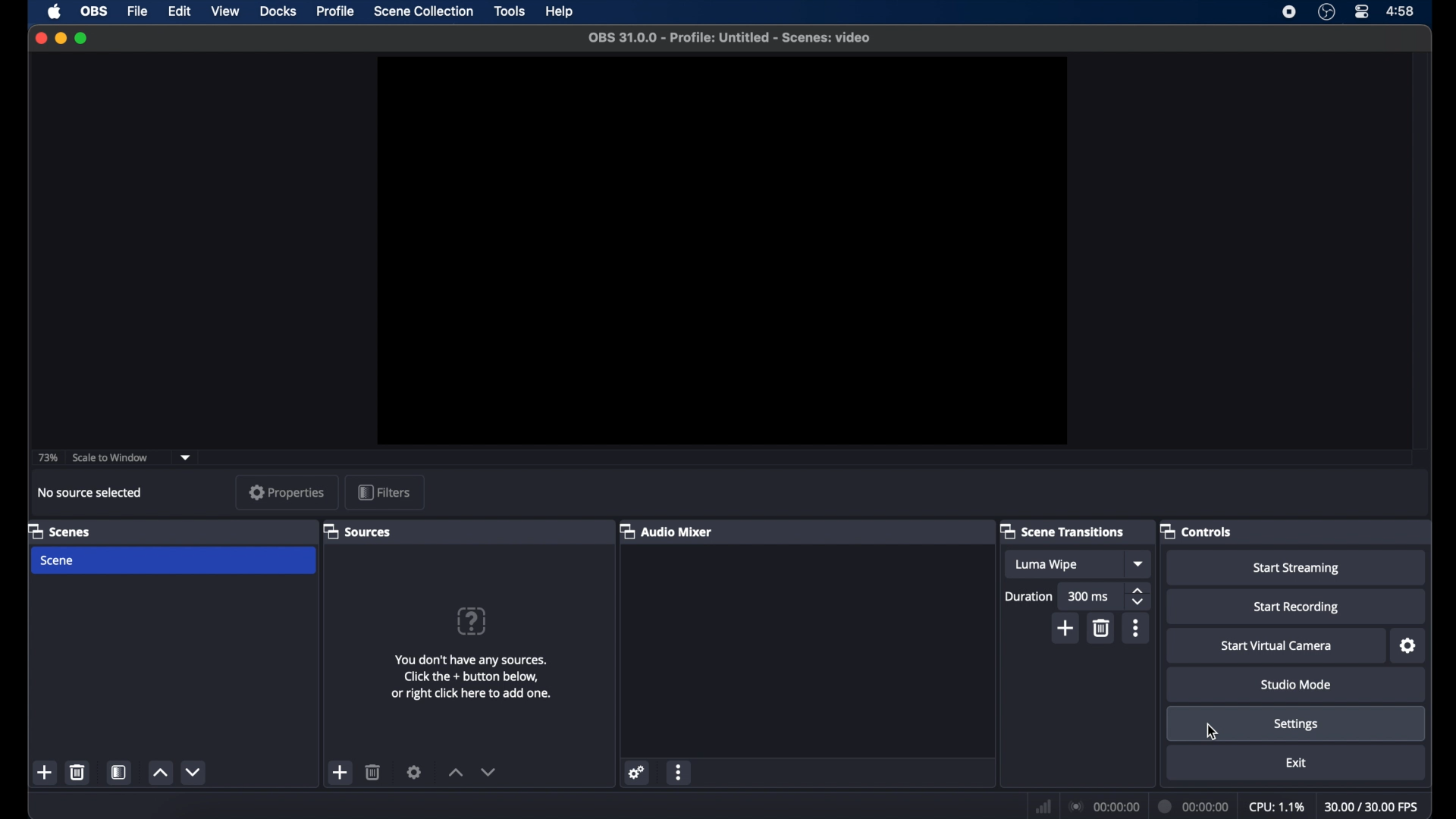  I want to click on tools, so click(510, 11).